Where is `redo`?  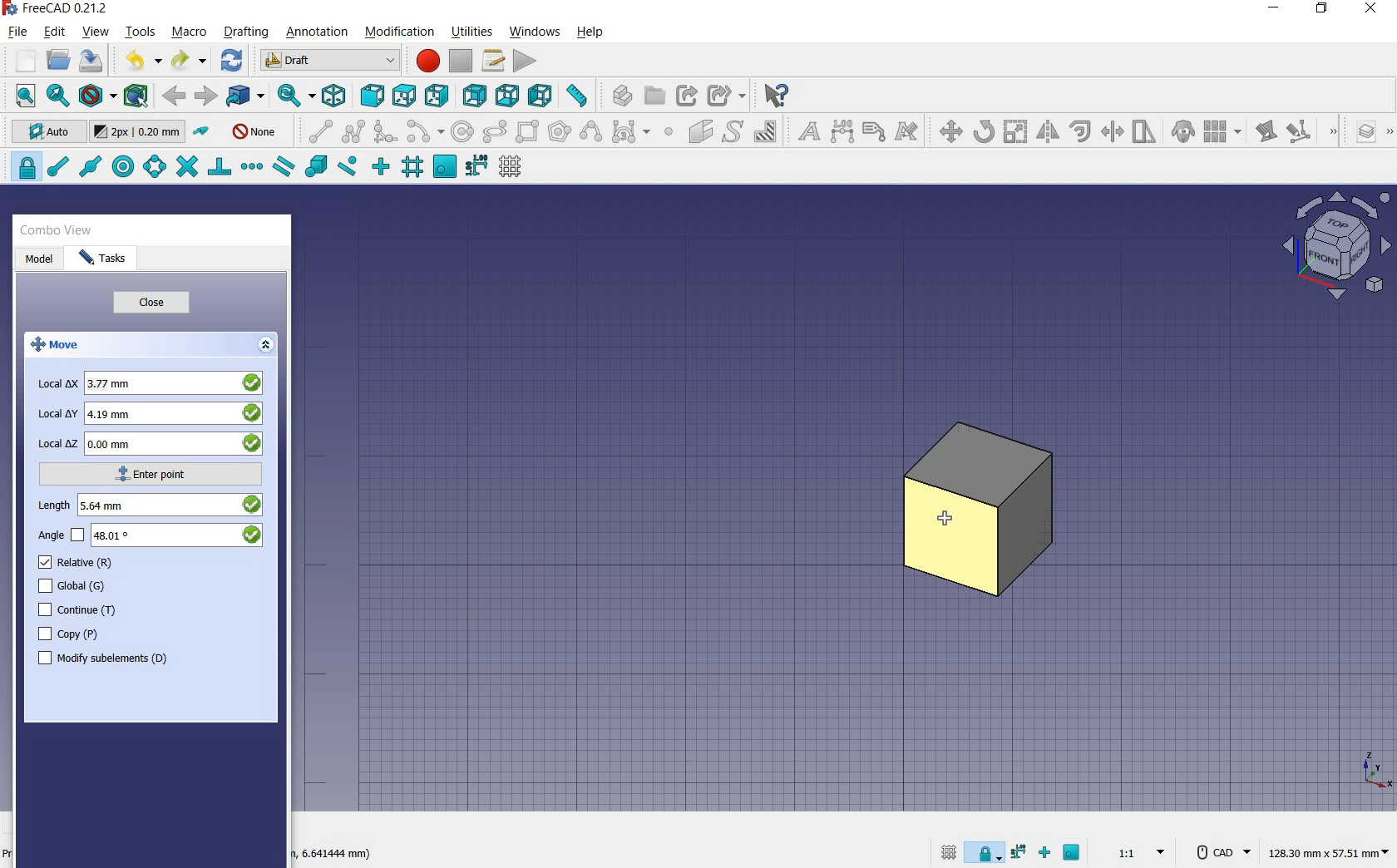 redo is located at coordinates (186, 61).